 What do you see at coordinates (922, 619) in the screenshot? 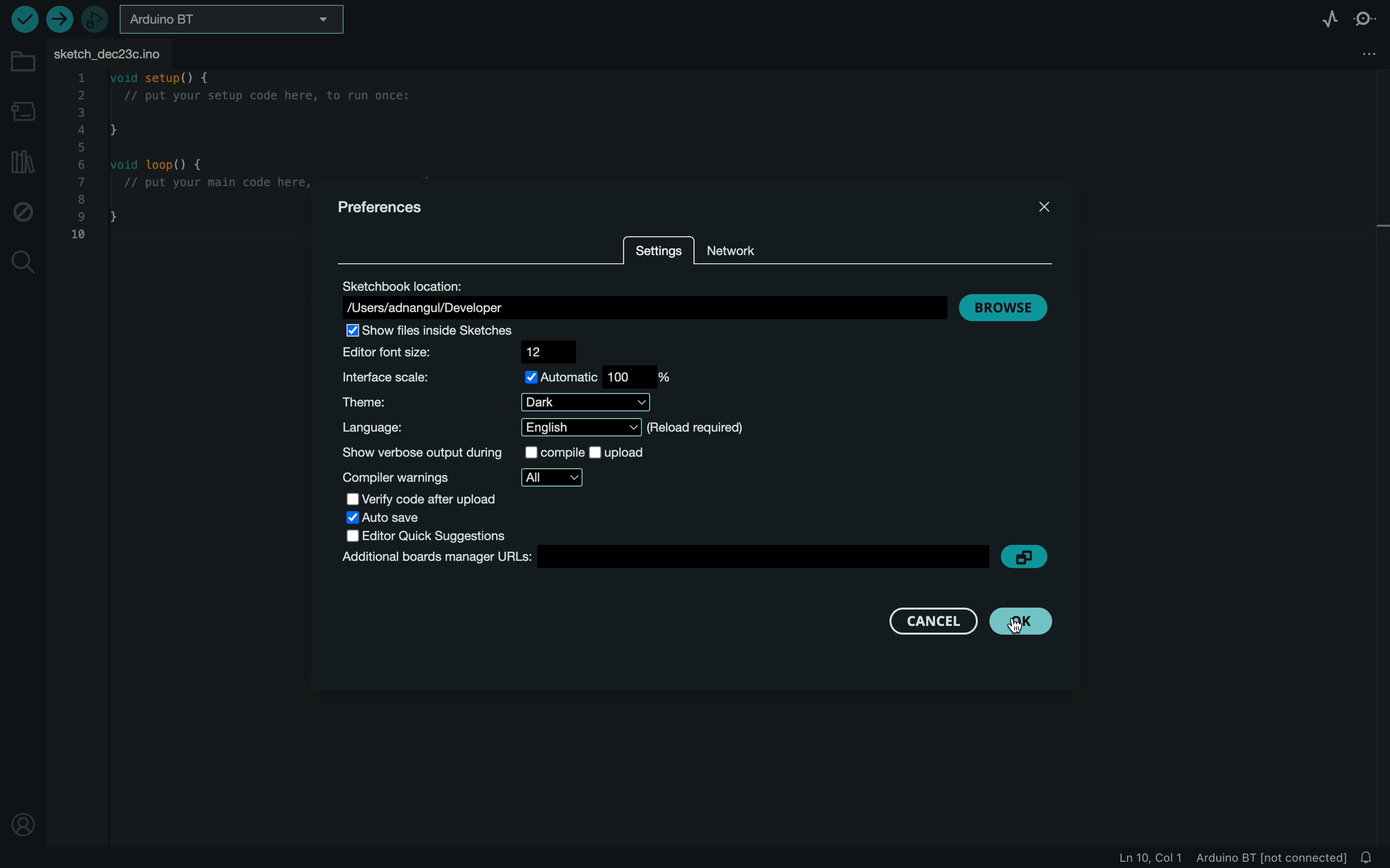
I see `cancel` at bounding box center [922, 619].